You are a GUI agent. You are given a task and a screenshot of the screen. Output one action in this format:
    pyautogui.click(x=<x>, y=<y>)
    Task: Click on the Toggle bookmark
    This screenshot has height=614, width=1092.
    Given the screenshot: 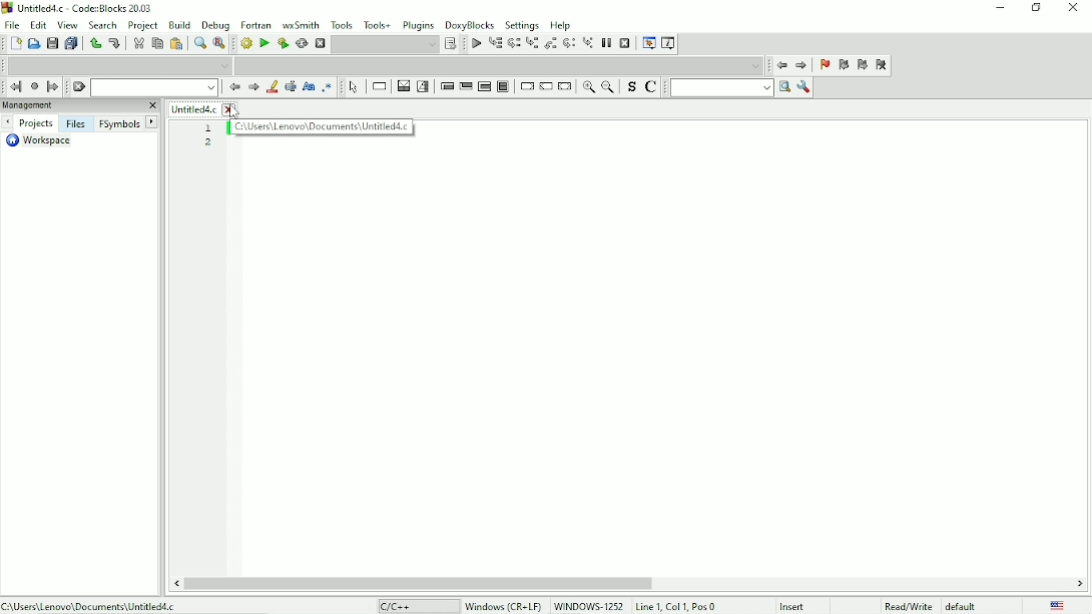 What is the action you would take?
    pyautogui.click(x=823, y=64)
    